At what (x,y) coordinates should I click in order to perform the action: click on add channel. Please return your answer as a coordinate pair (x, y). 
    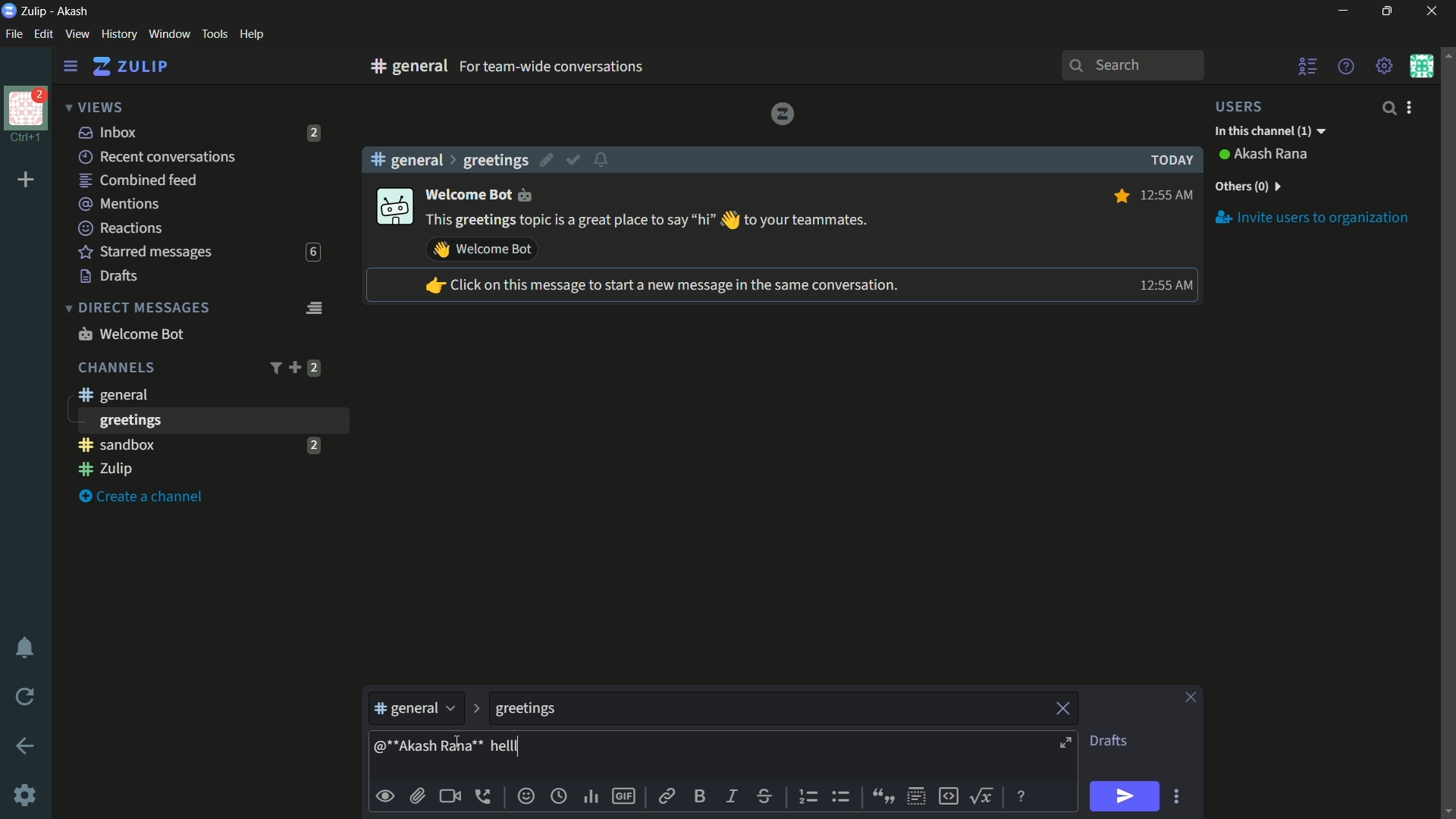
    Looking at the image, I should click on (294, 367).